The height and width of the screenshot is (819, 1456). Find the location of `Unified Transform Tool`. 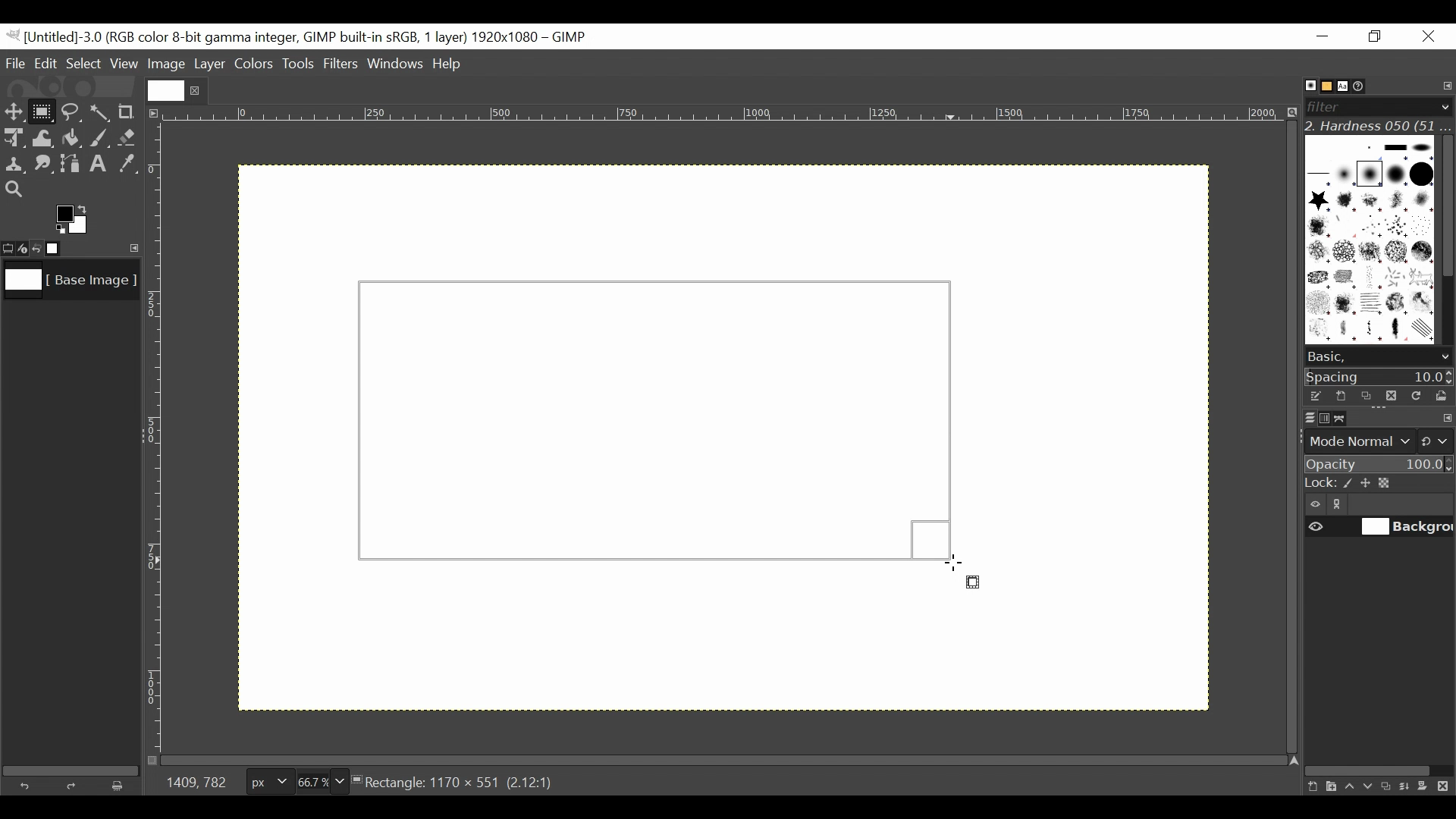

Unified Transform Tool is located at coordinates (13, 137).